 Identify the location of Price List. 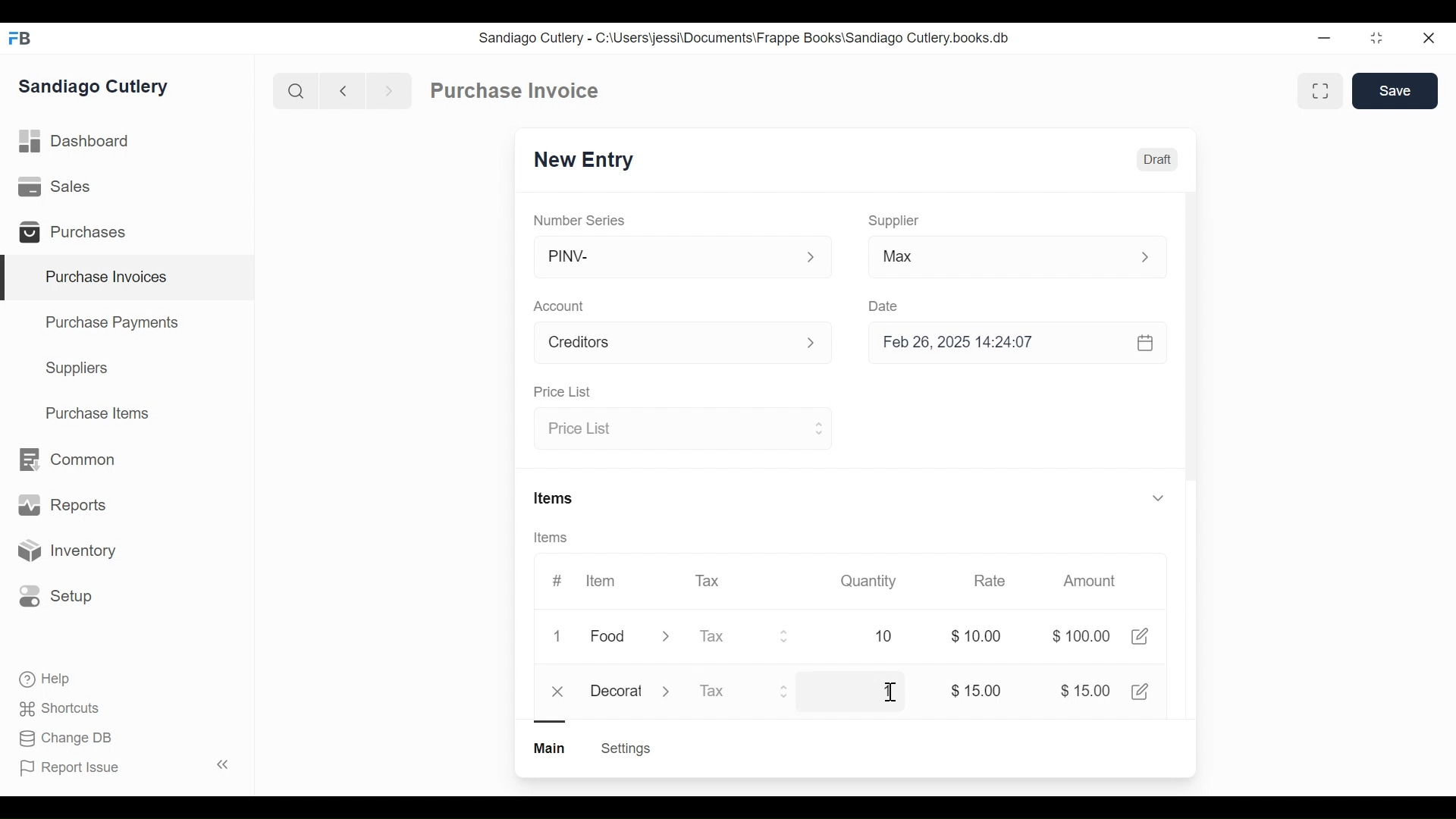
(669, 429).